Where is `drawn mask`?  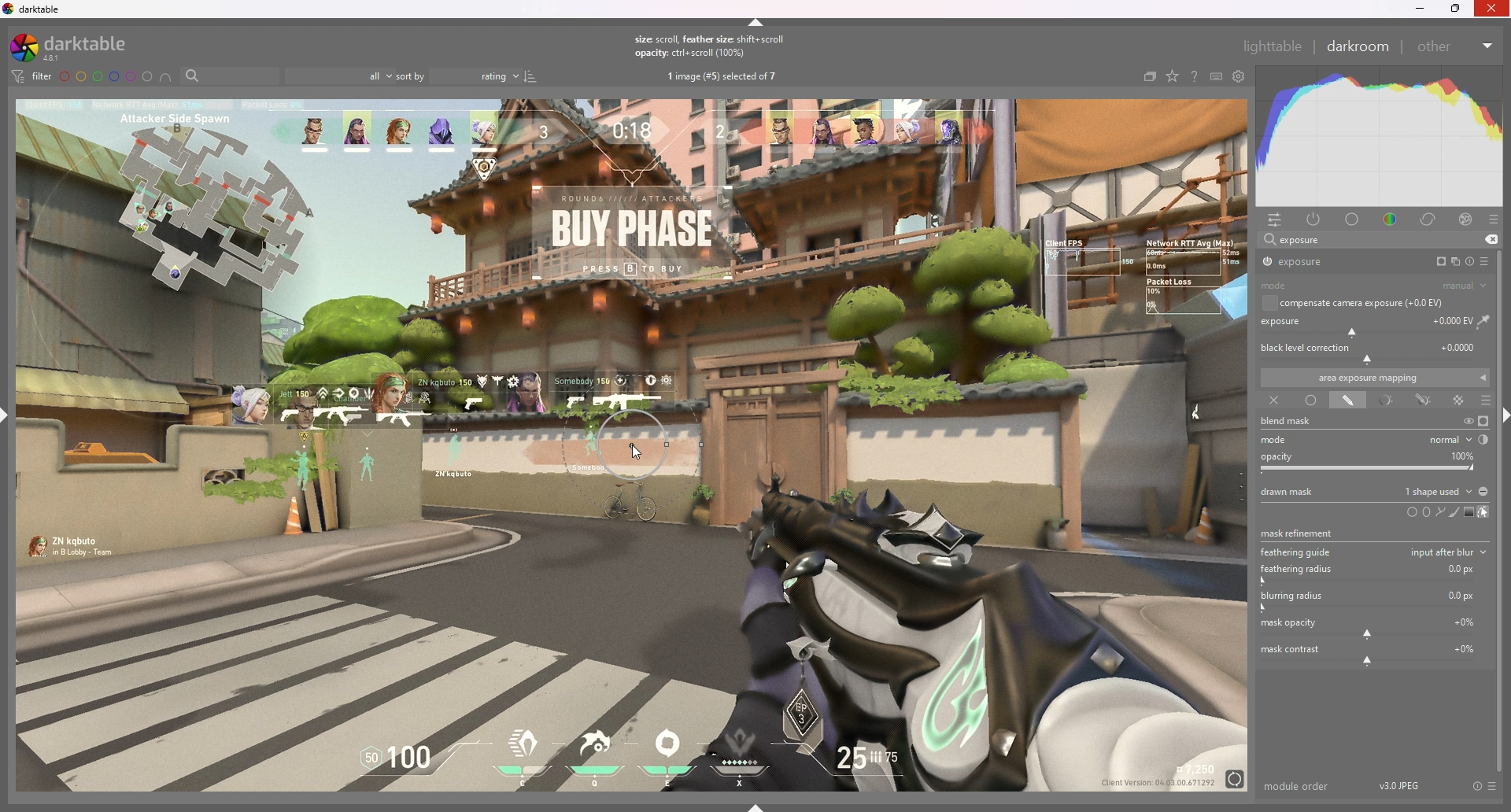
drawn mask is located at coordinates (1374, 491).